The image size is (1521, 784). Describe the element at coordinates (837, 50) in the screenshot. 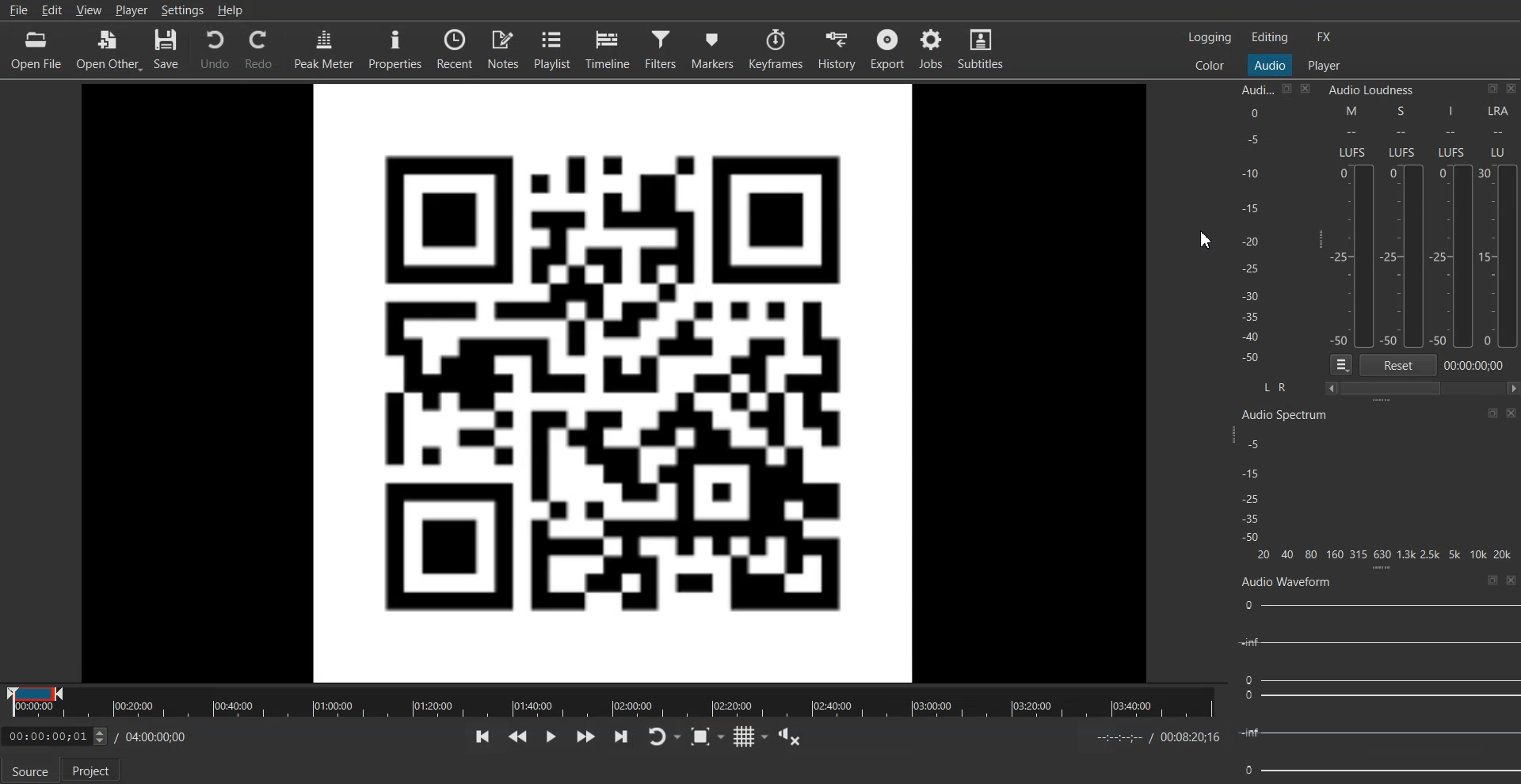

I see `History` at that location.